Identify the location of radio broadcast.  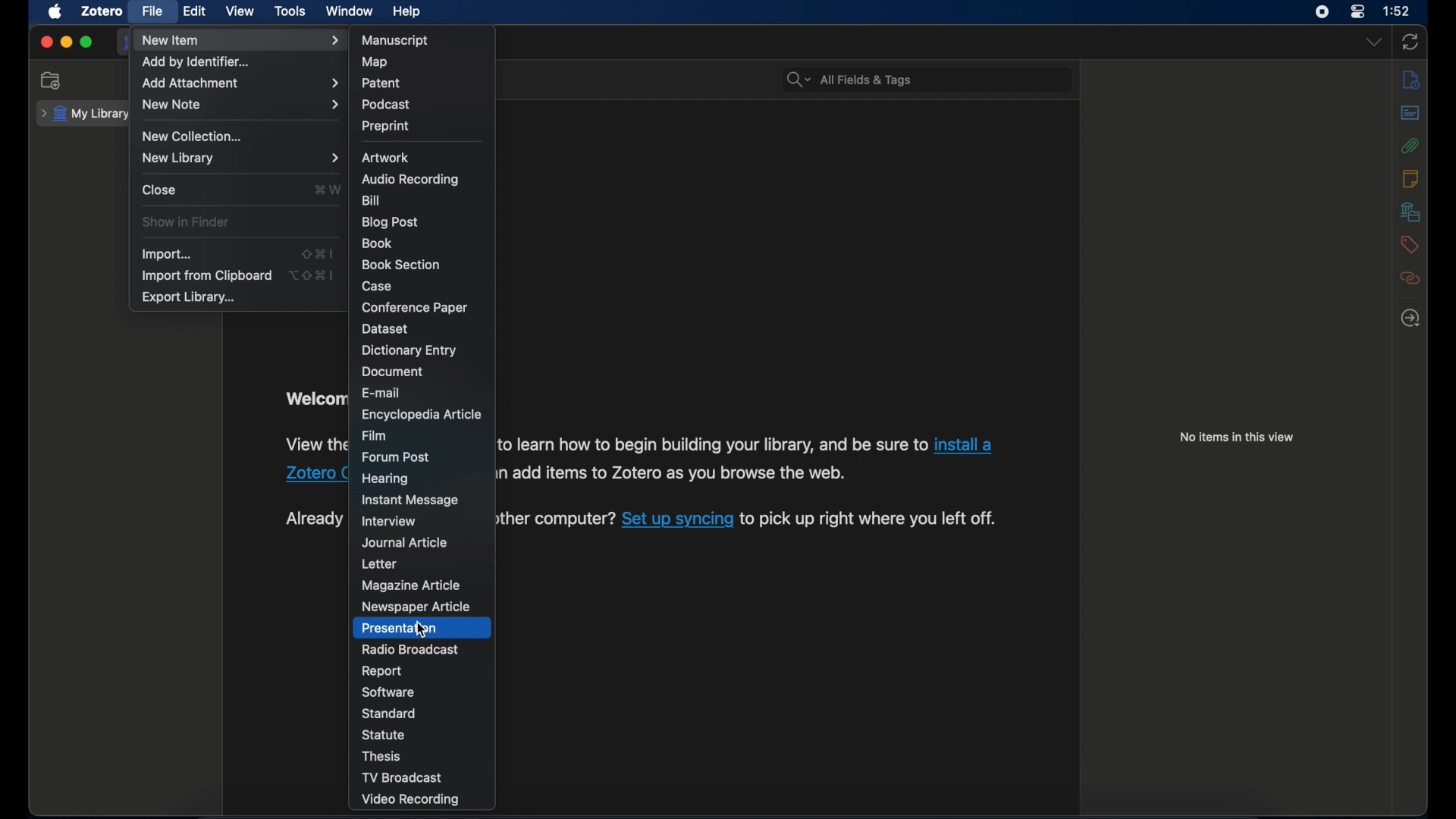
(409, 649).